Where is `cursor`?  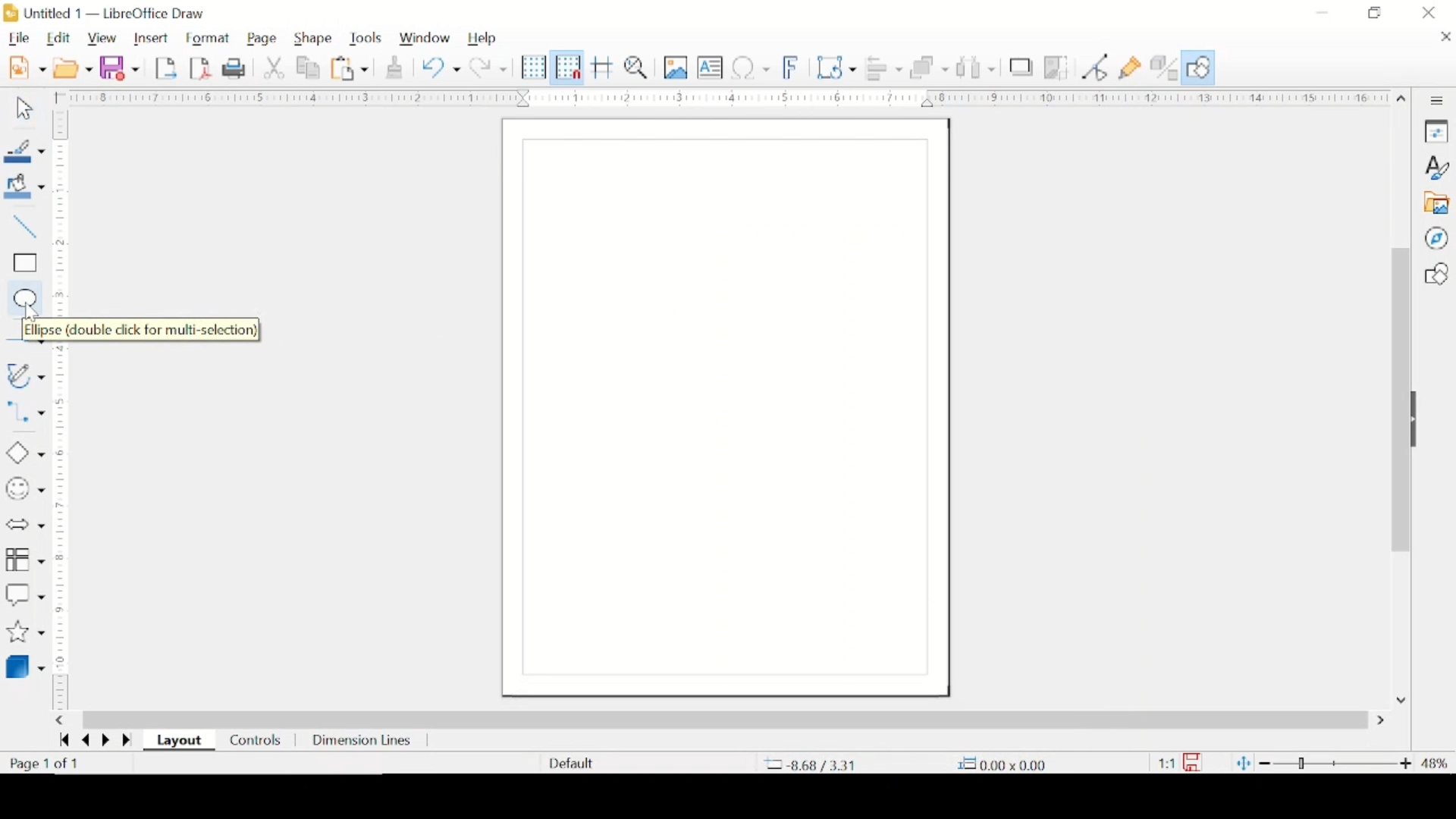
cursor is located at coordinates (33, 314).